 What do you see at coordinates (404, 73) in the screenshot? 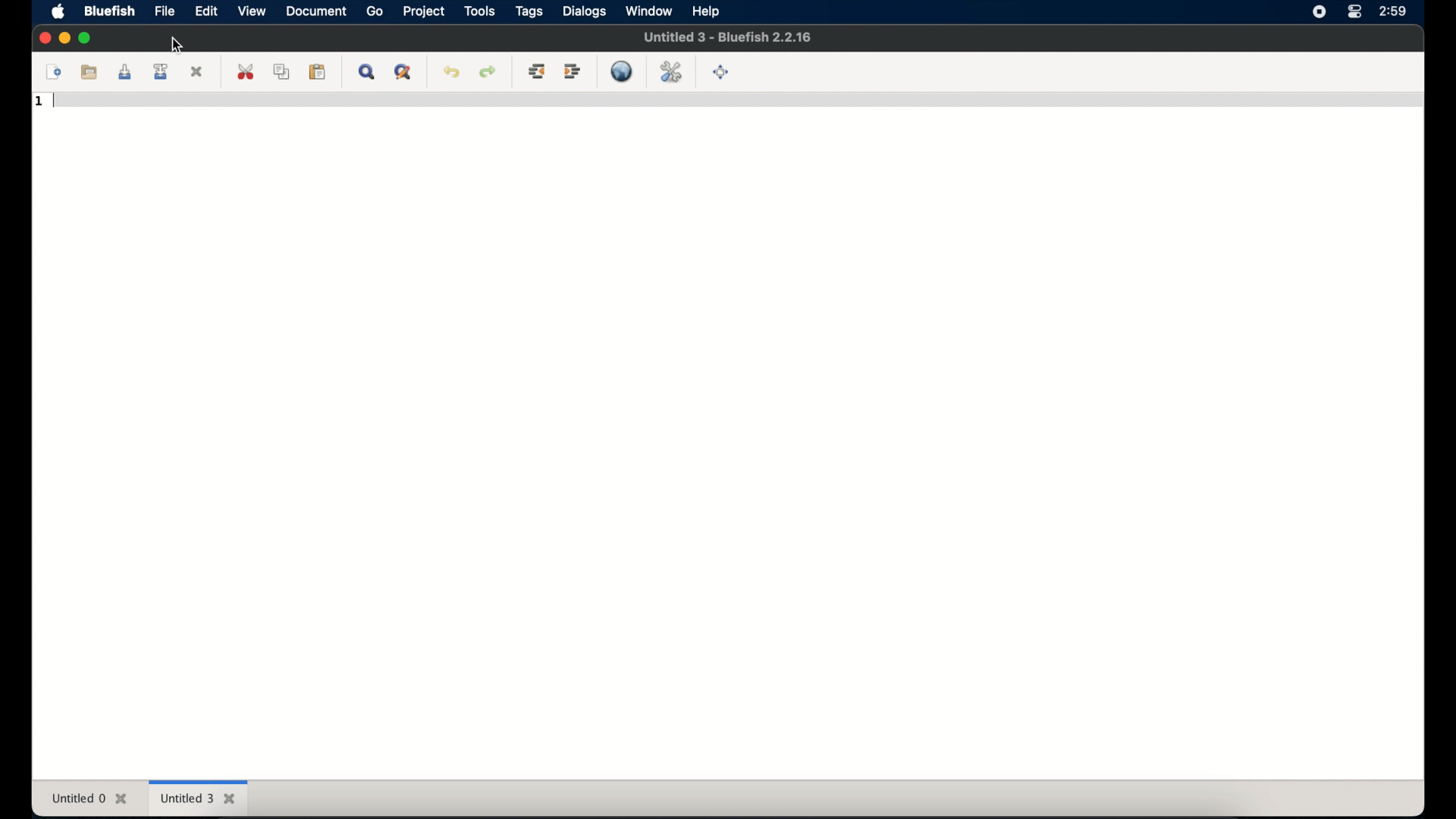
I see `advanced find and replace` at bounding box center [404, 73].